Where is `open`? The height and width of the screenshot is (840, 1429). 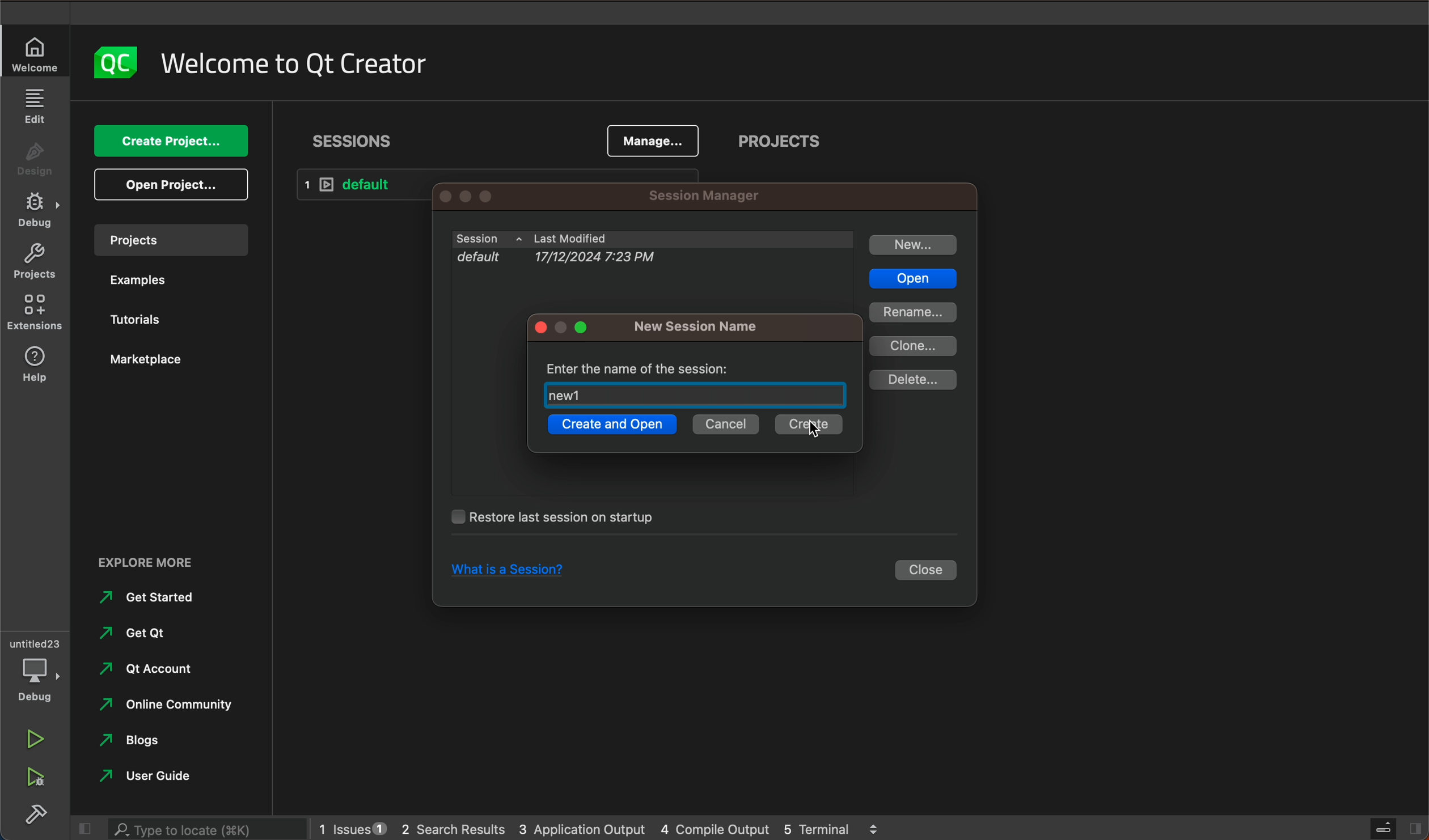 open is located at coordinates (911, 279).